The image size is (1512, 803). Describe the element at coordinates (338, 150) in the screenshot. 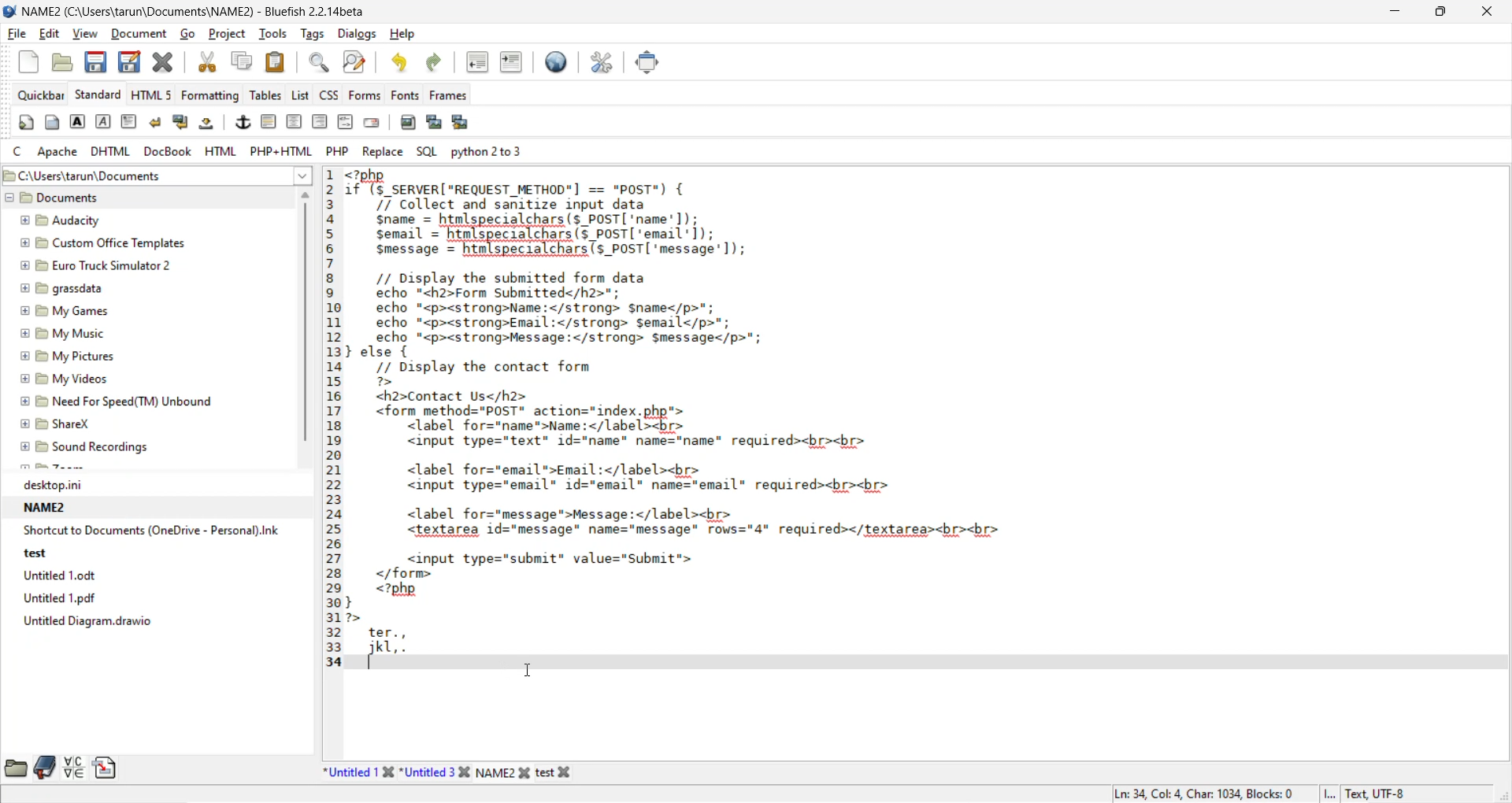

I see `php` at that location.